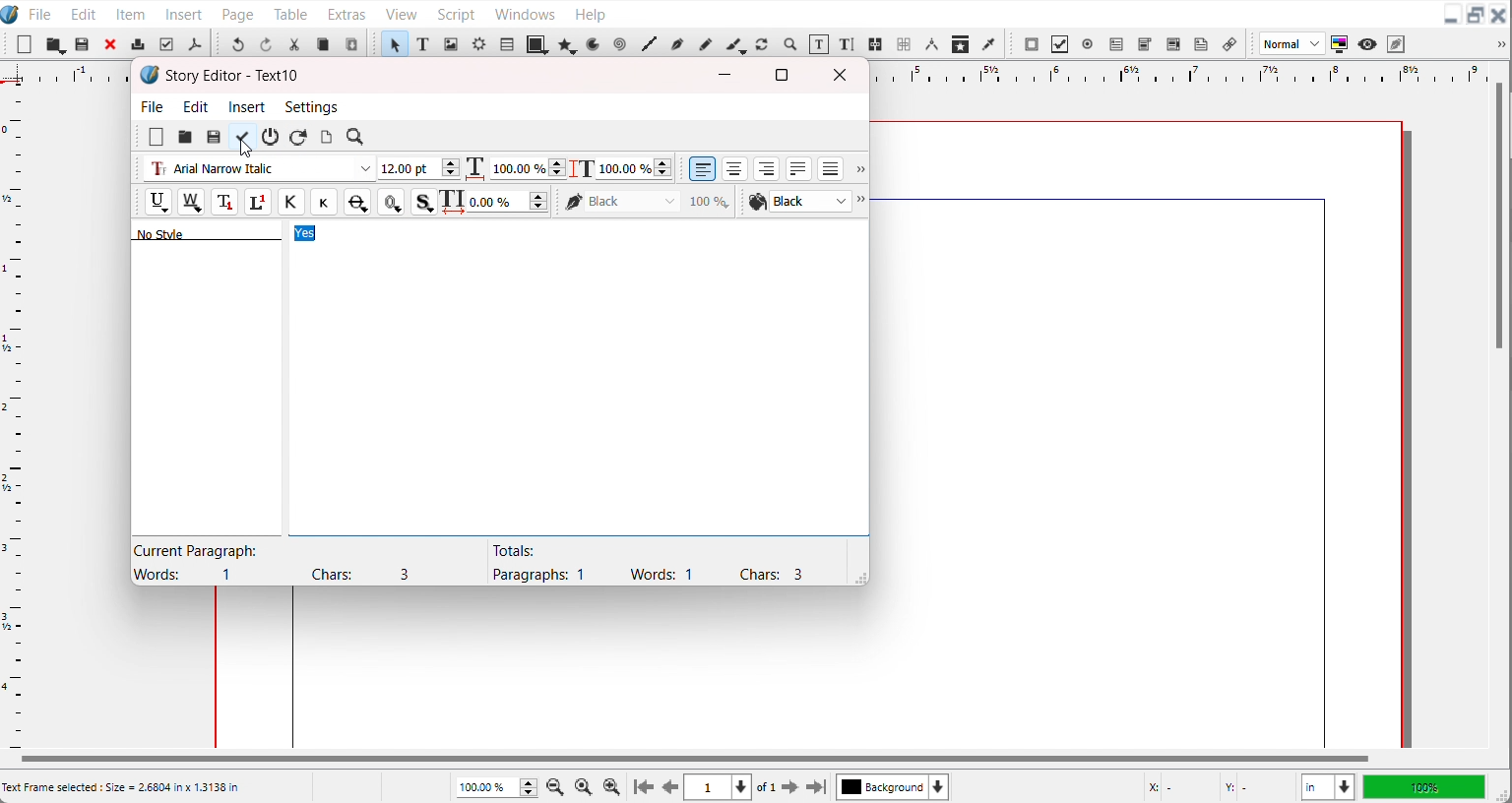  What do you see at coordinates (1144, 44) in the screenshot?
I see `PDF Combo button` at bounding box center [1144, 44].